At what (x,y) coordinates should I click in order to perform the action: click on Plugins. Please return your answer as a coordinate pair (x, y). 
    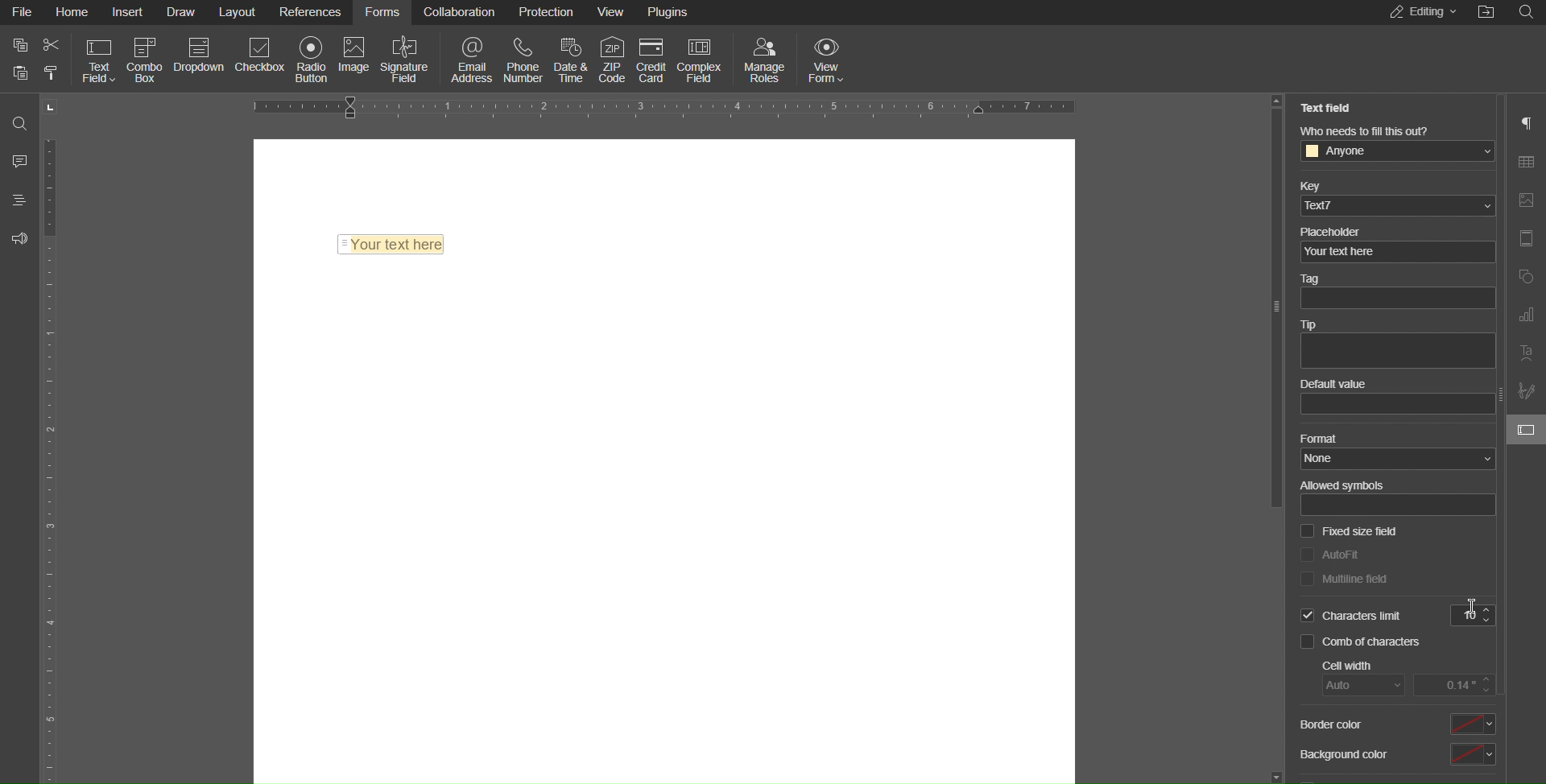
    Looking at the image, I should click on (671, 10).